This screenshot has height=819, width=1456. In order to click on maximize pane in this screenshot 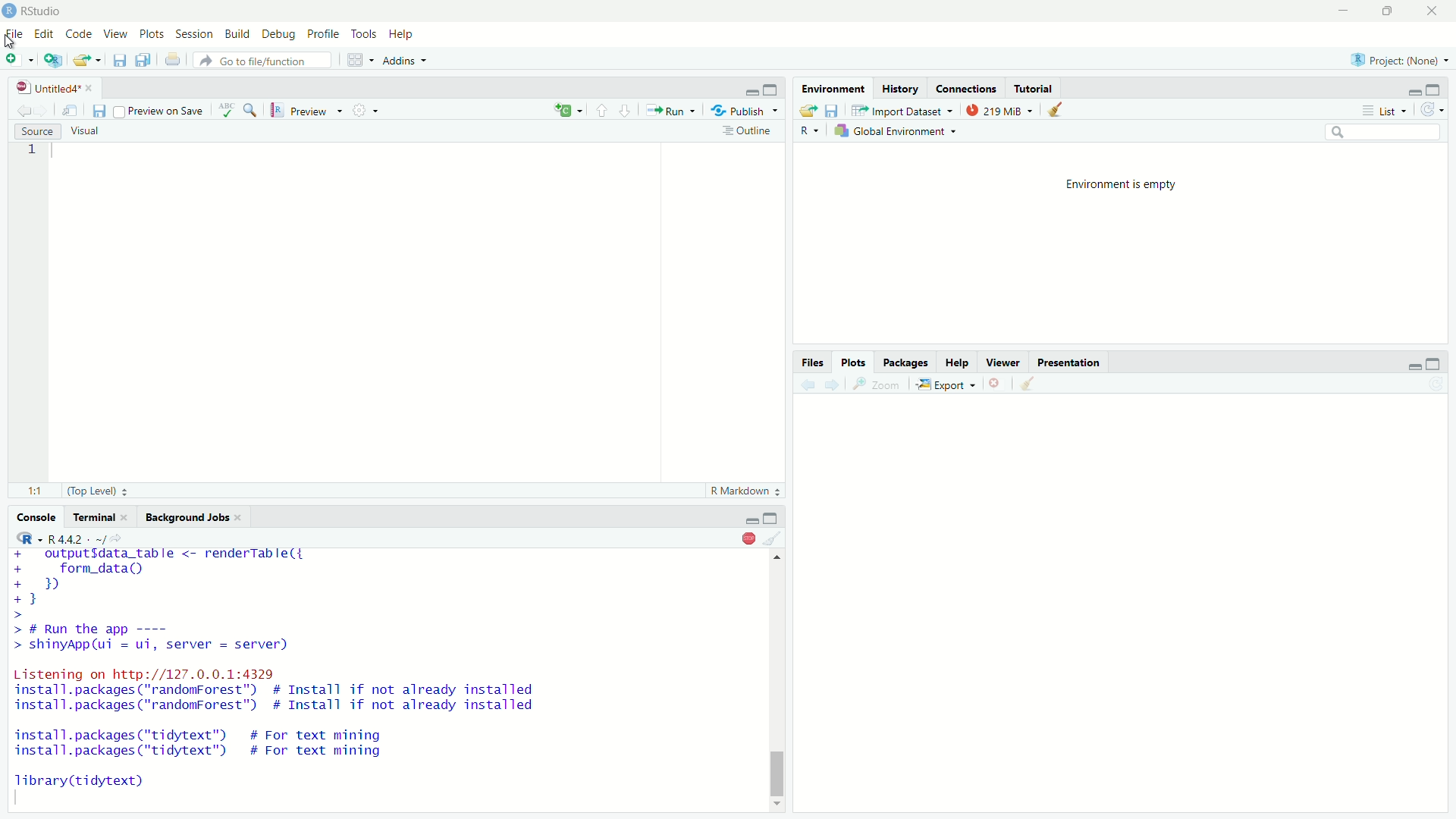, I will do `click(774, 88)`.